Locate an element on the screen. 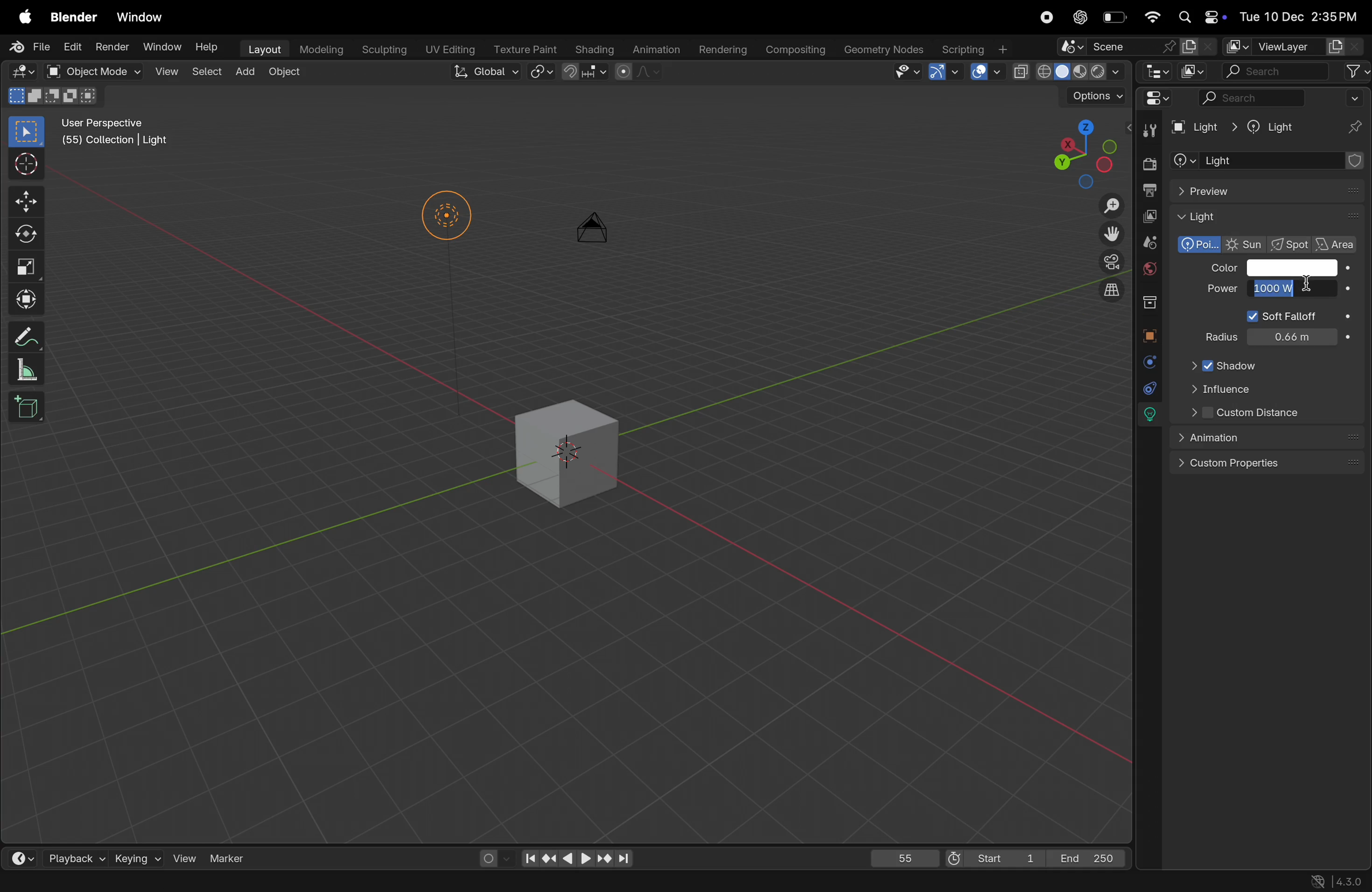 The image size is (1372, 892). Color is located at coordinates (1220, 270).